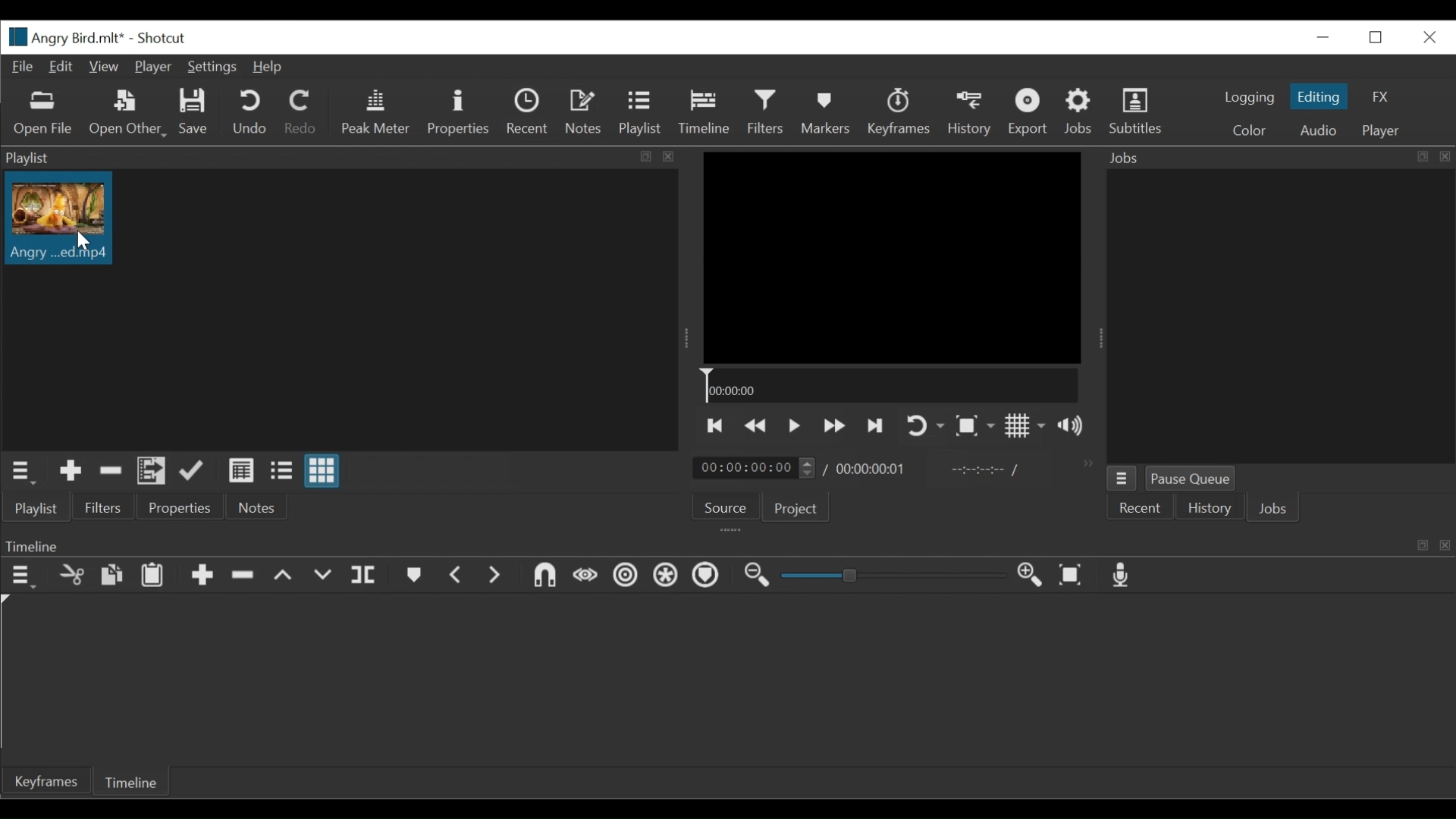 Image resolution: width=1456 pixels, height=819 pixels. I want to click on File, so click(24, 67).